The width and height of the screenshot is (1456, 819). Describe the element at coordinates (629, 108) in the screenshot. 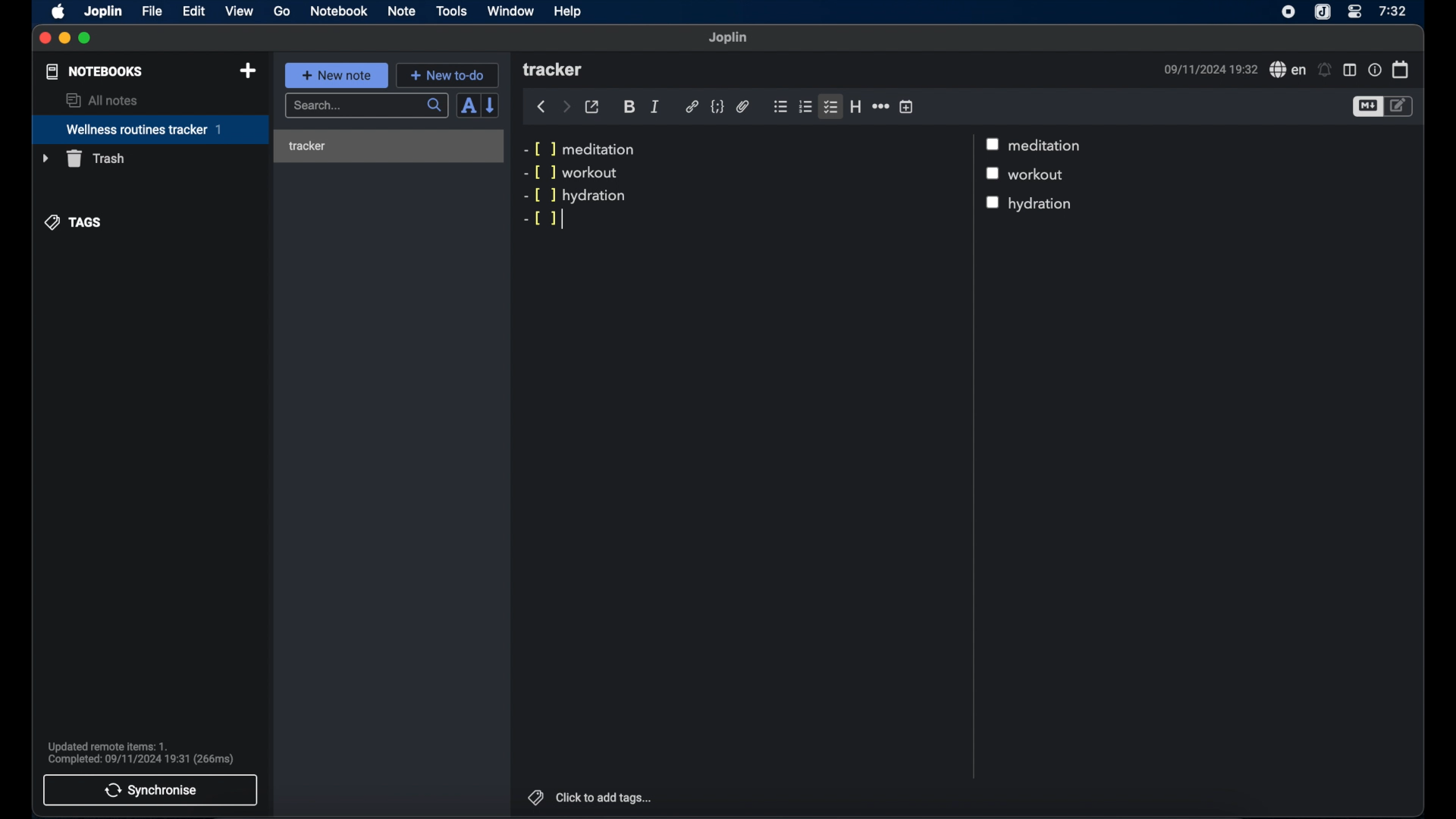

I see `bold` at that location.